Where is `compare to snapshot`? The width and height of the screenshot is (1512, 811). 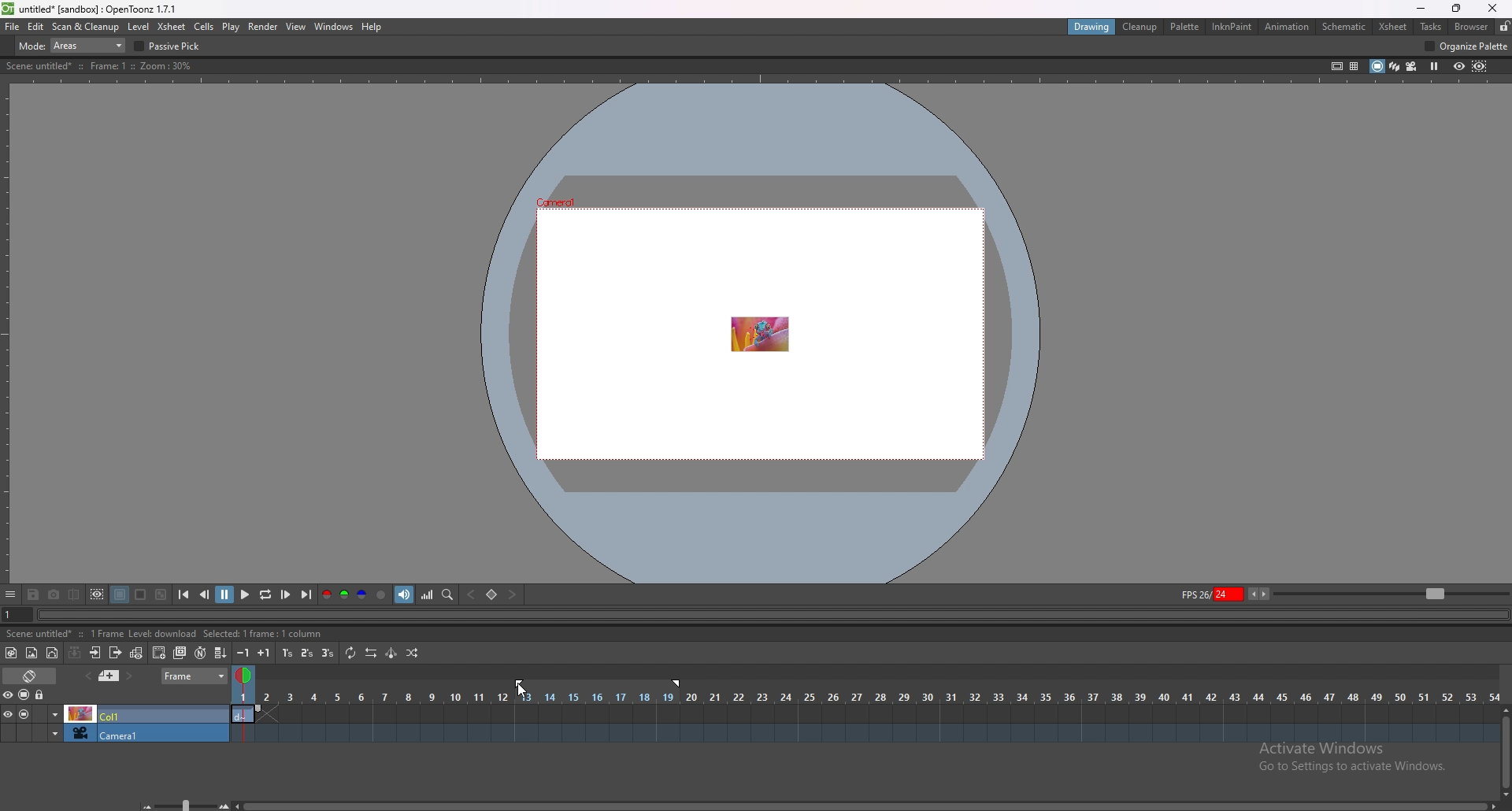
compare to snapshot is located at coordinates (74, 594).